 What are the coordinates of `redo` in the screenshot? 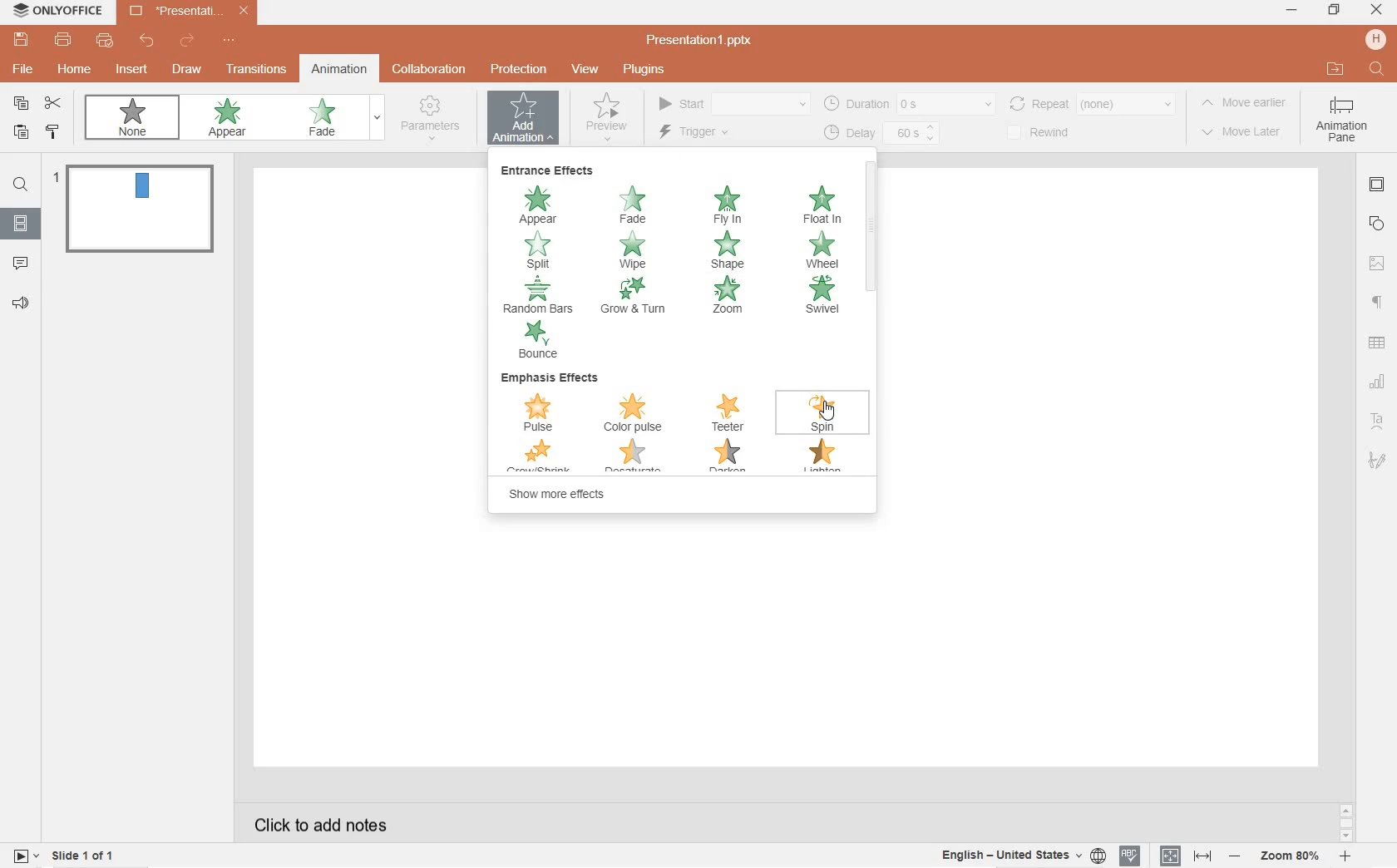 It's located at (188, 42).